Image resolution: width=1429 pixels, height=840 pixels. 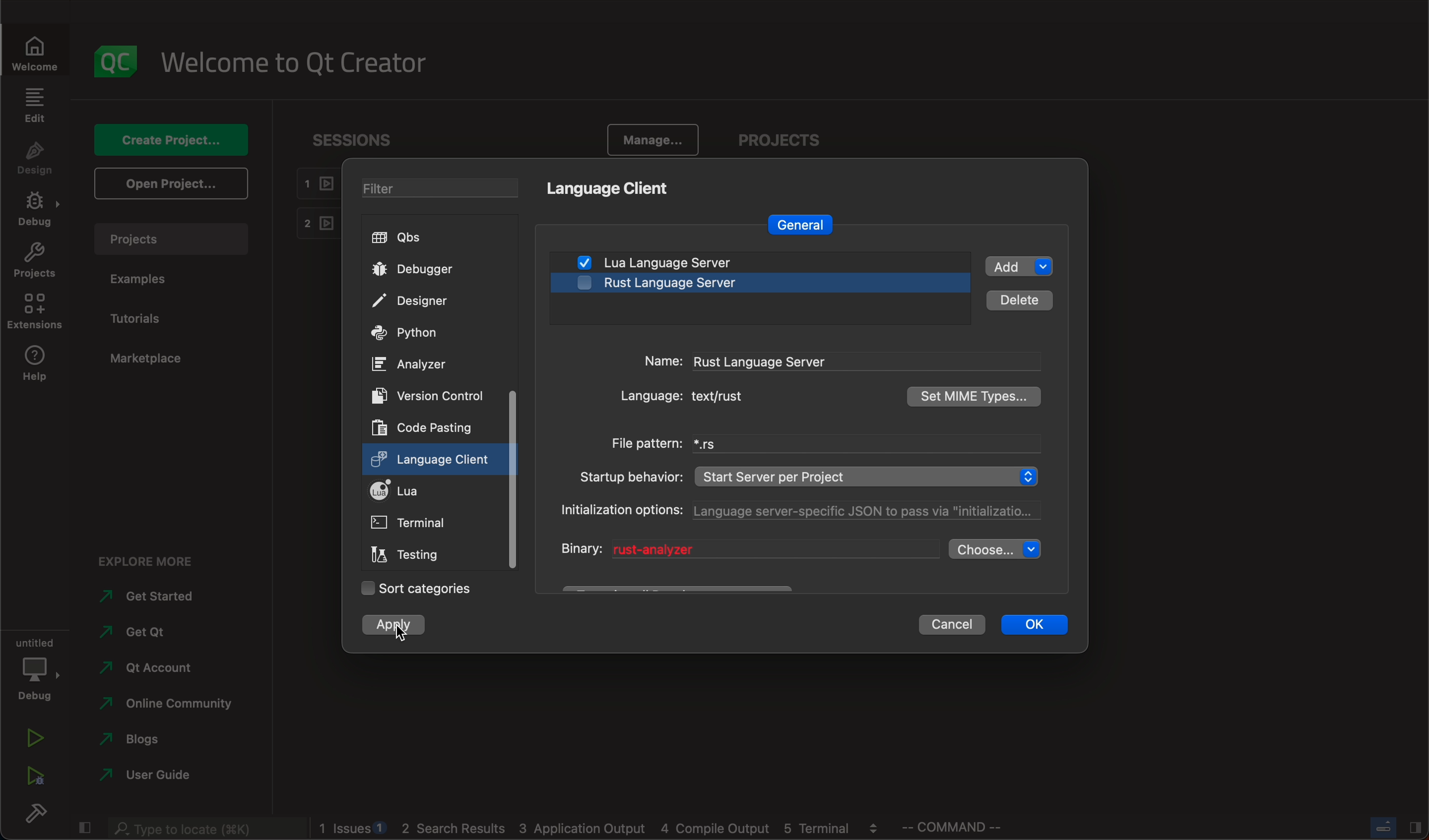 I want to click on clicked, so click(x=434, y=460).